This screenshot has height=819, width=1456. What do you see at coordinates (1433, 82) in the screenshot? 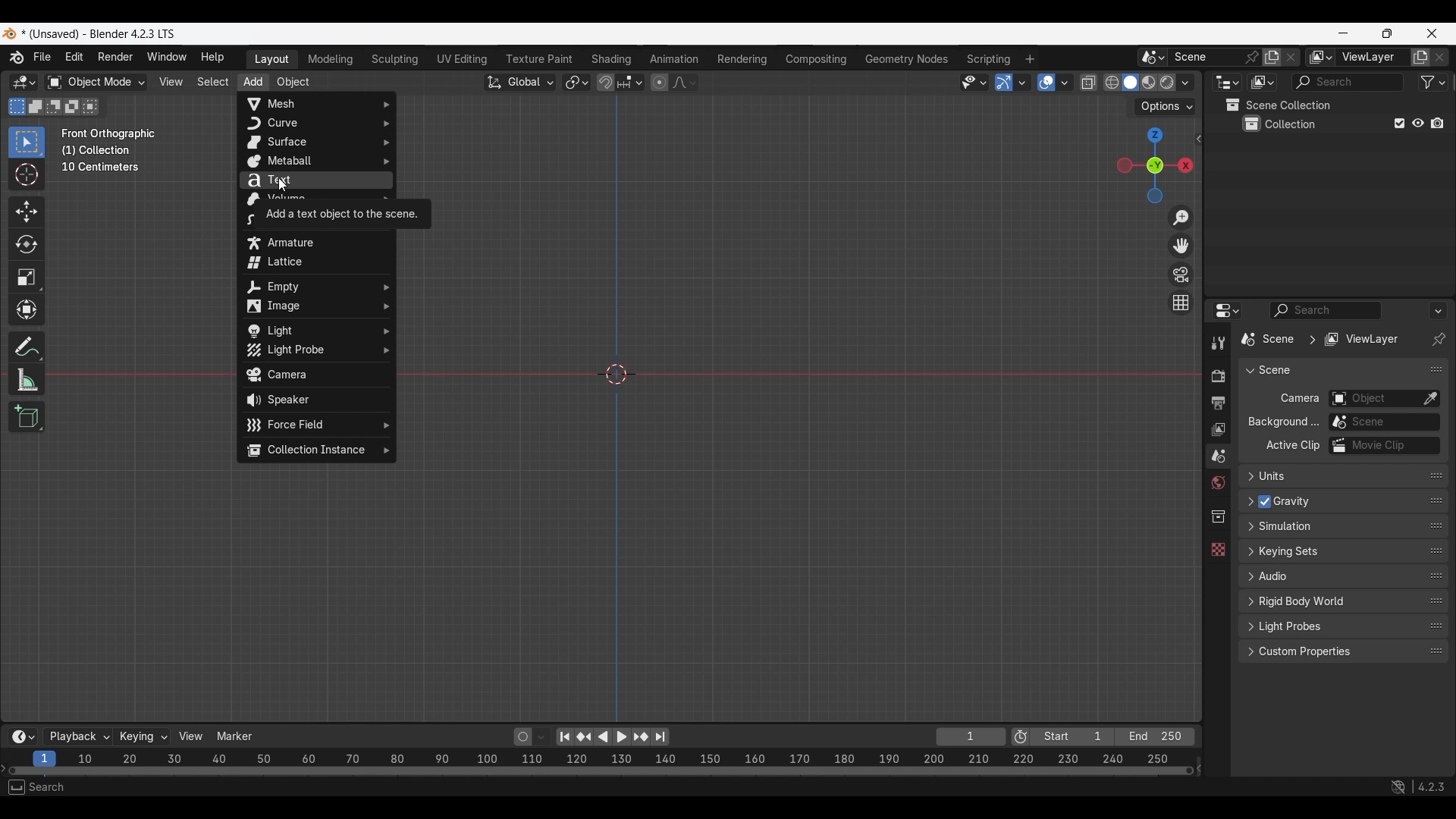
I see `Filter` at bounding box center [1433, 82].